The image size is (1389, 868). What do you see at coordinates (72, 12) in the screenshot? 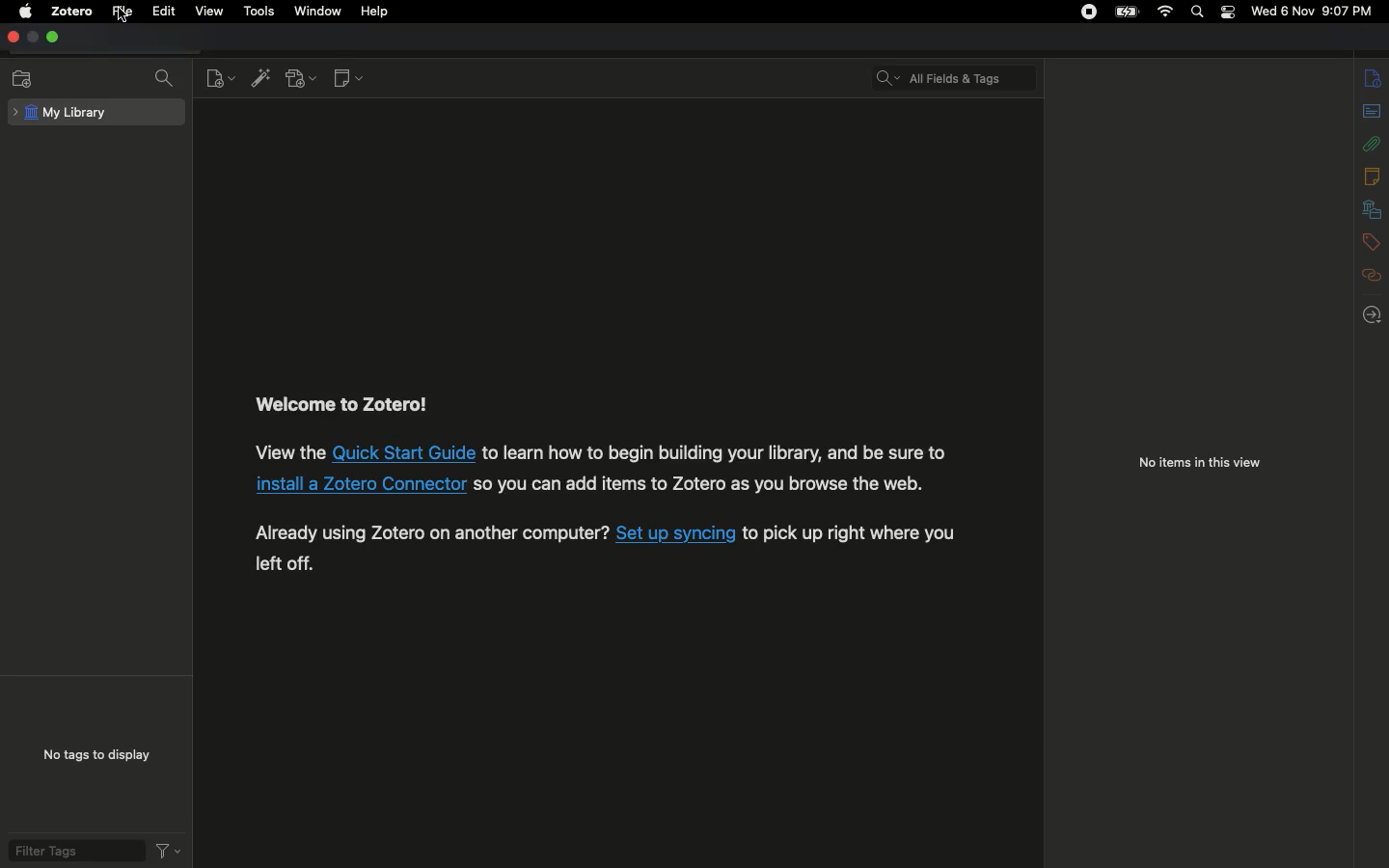
I see `Zotero` at bounding box center [72, 12].